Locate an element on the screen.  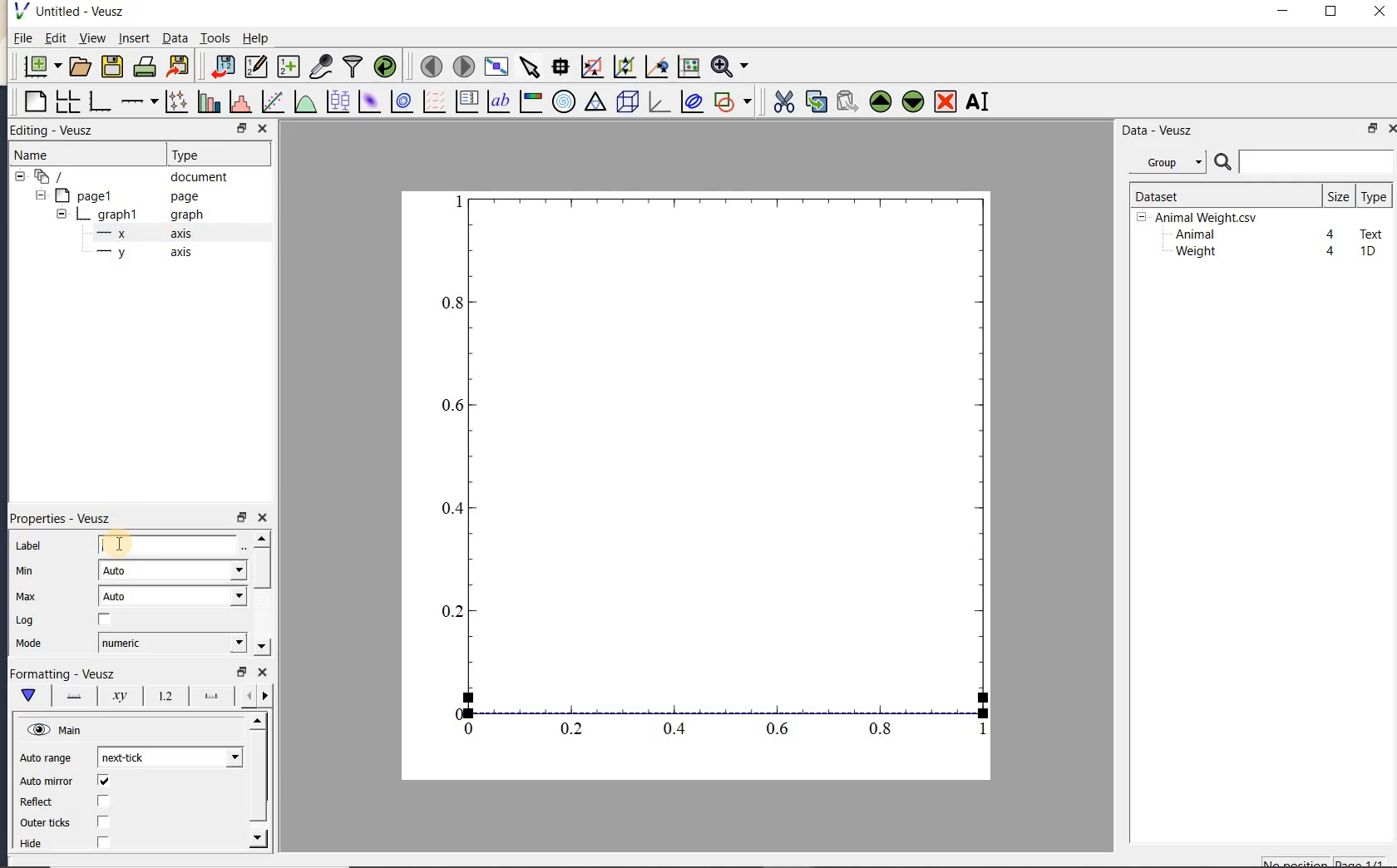
restore is located at coordinates (240, 672).